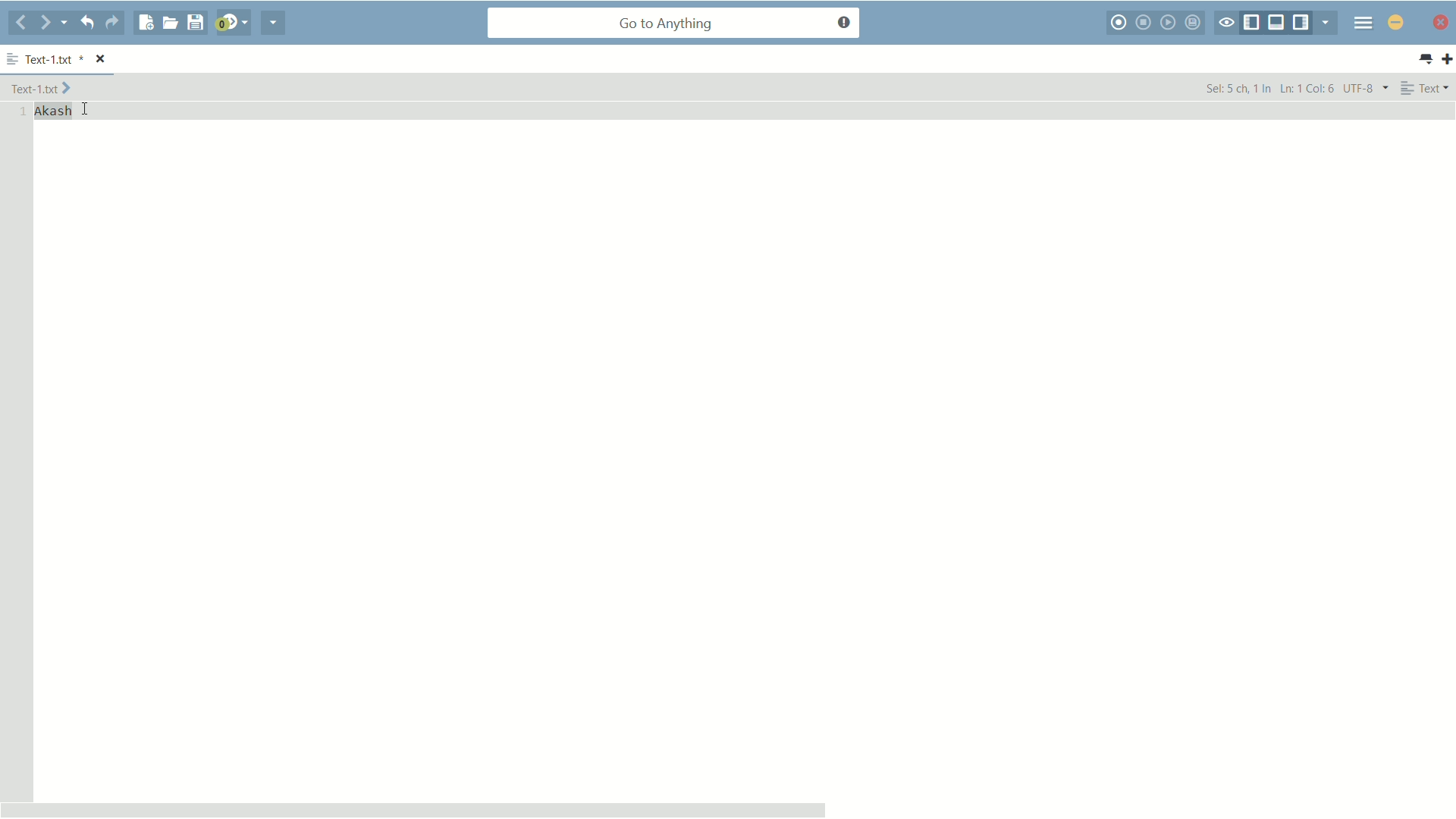 This screenshot has height=819, width=1456. Describe the element at coordinates (170, 23) in the screenshot. I see `open file` at that location.